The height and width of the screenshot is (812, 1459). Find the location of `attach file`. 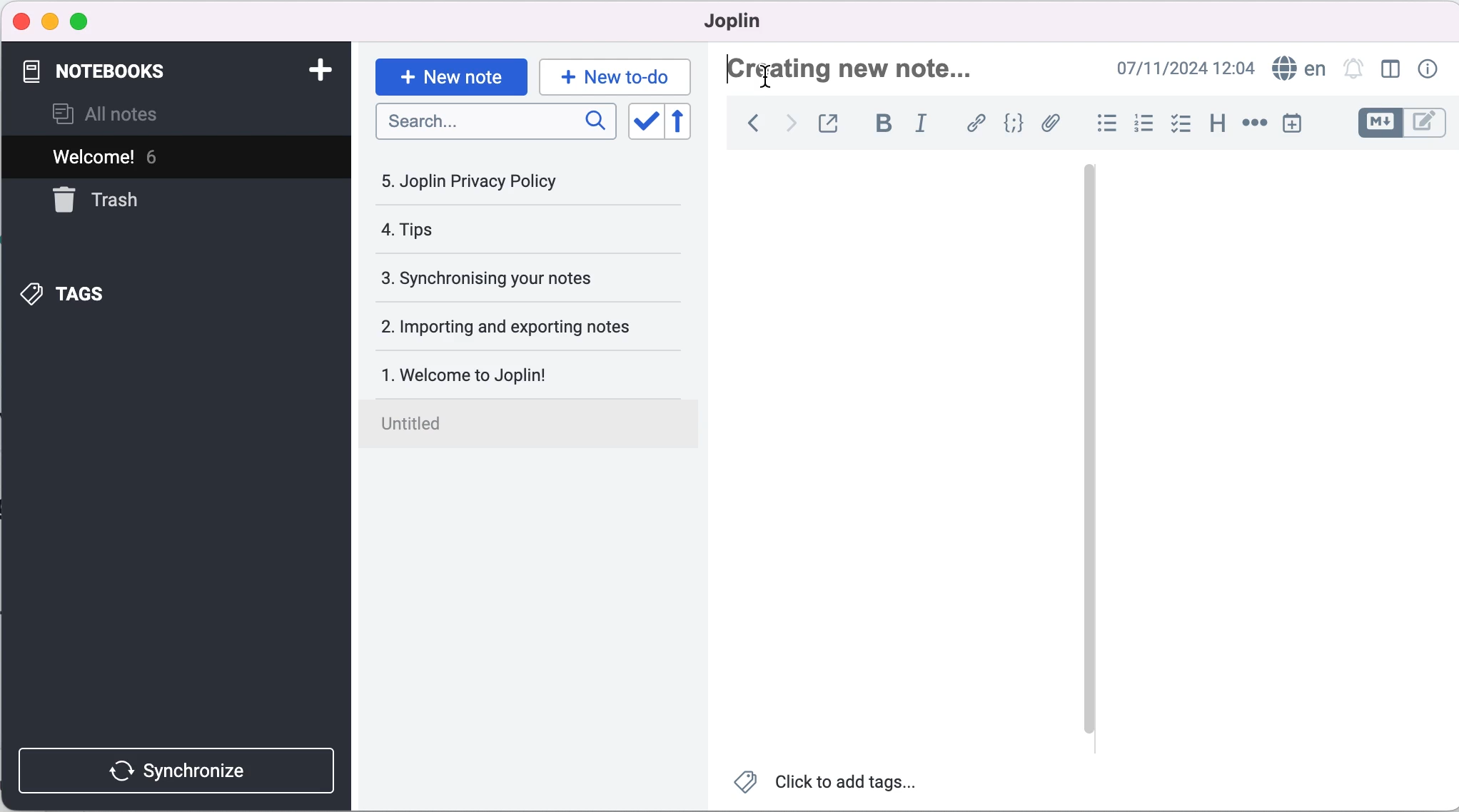

attach file is located at coordinates (1052, 125).